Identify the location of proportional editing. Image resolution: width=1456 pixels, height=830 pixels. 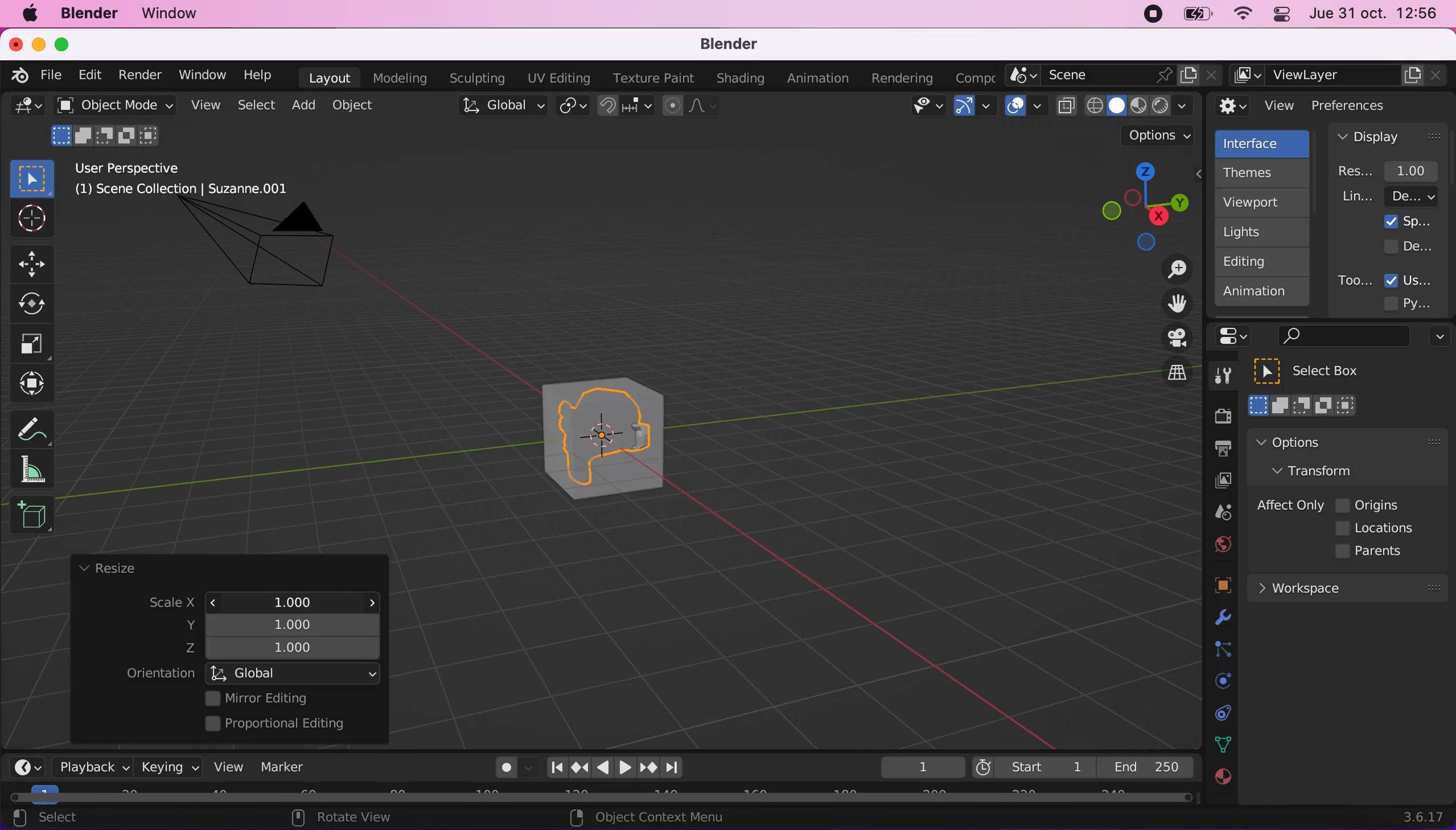
(283, 725).